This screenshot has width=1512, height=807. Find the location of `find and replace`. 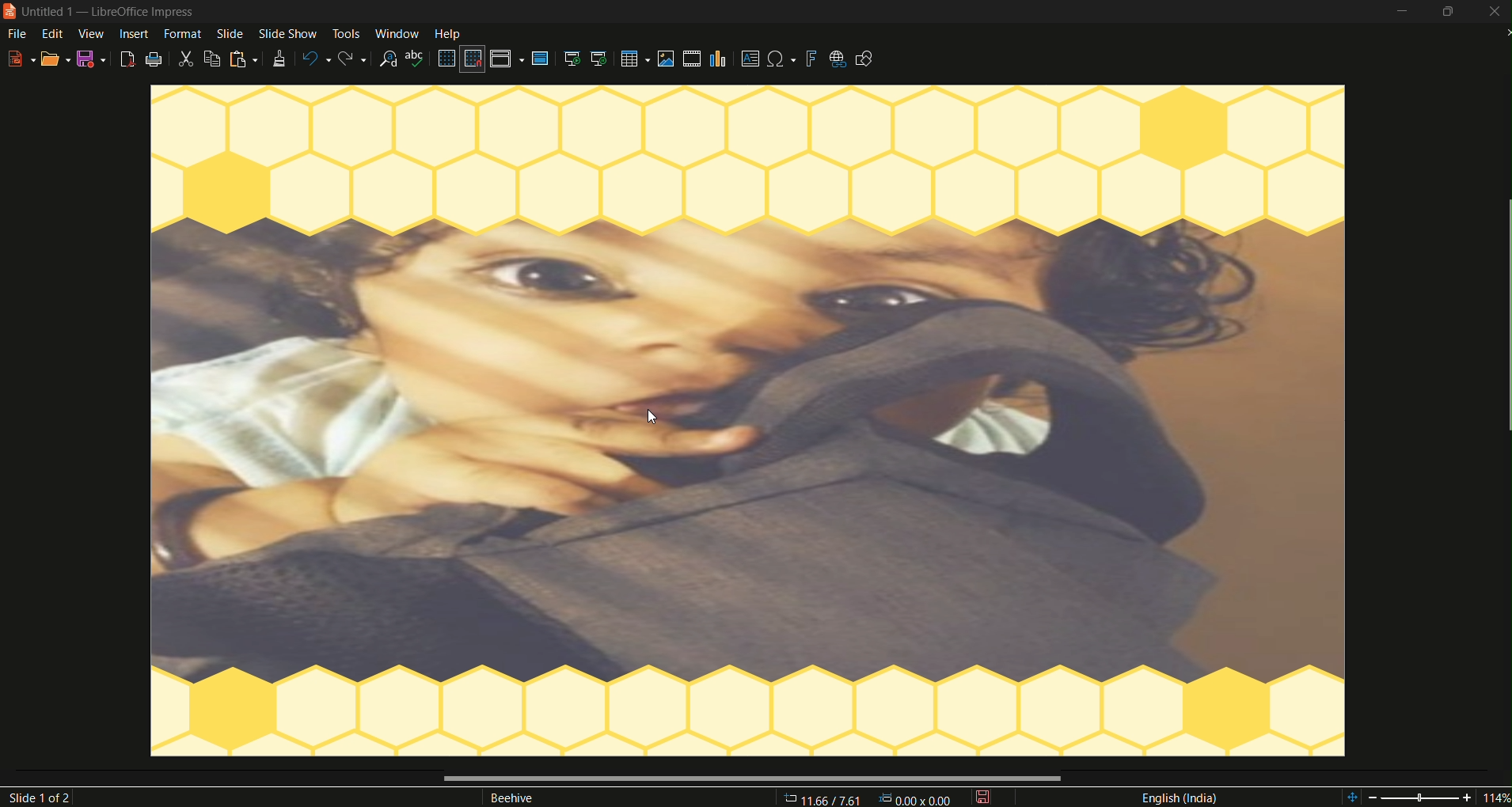

find and replace is located at coordinates (389, 59).